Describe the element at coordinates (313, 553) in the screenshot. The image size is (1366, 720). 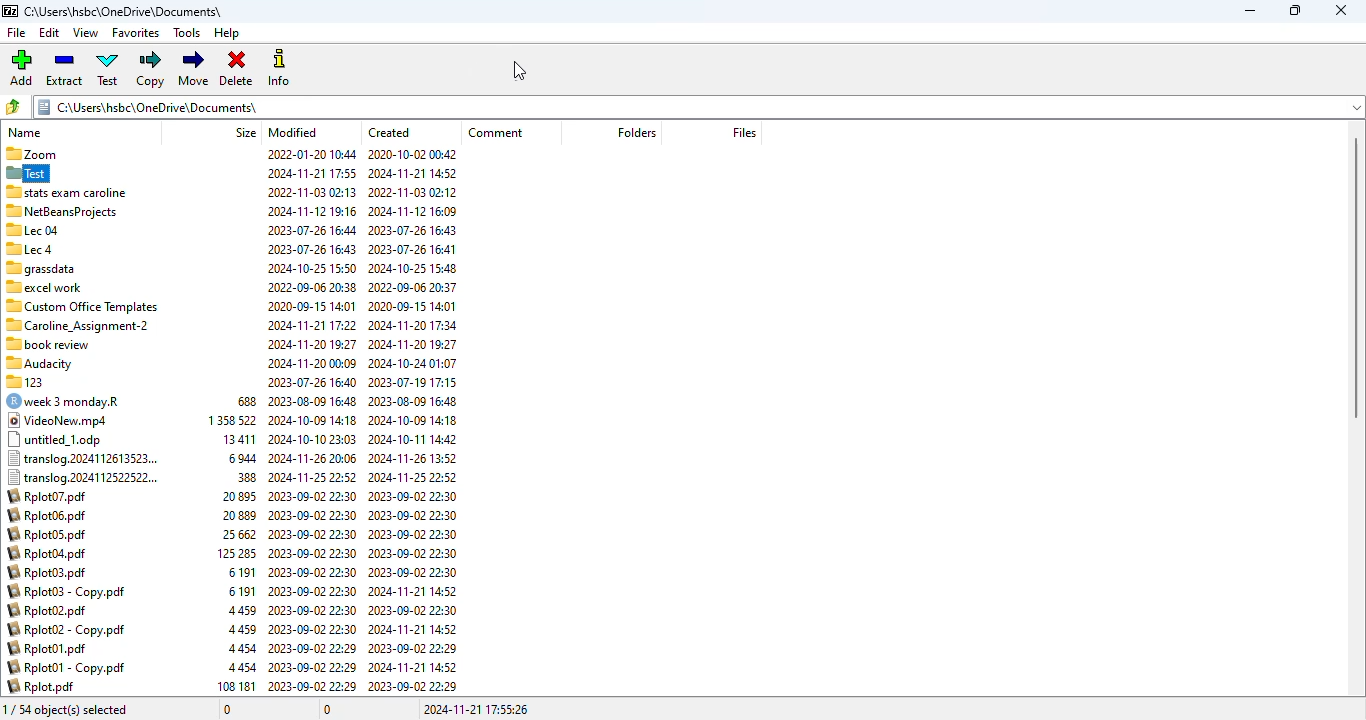
I see `2023-09-02 22:30` at that location.